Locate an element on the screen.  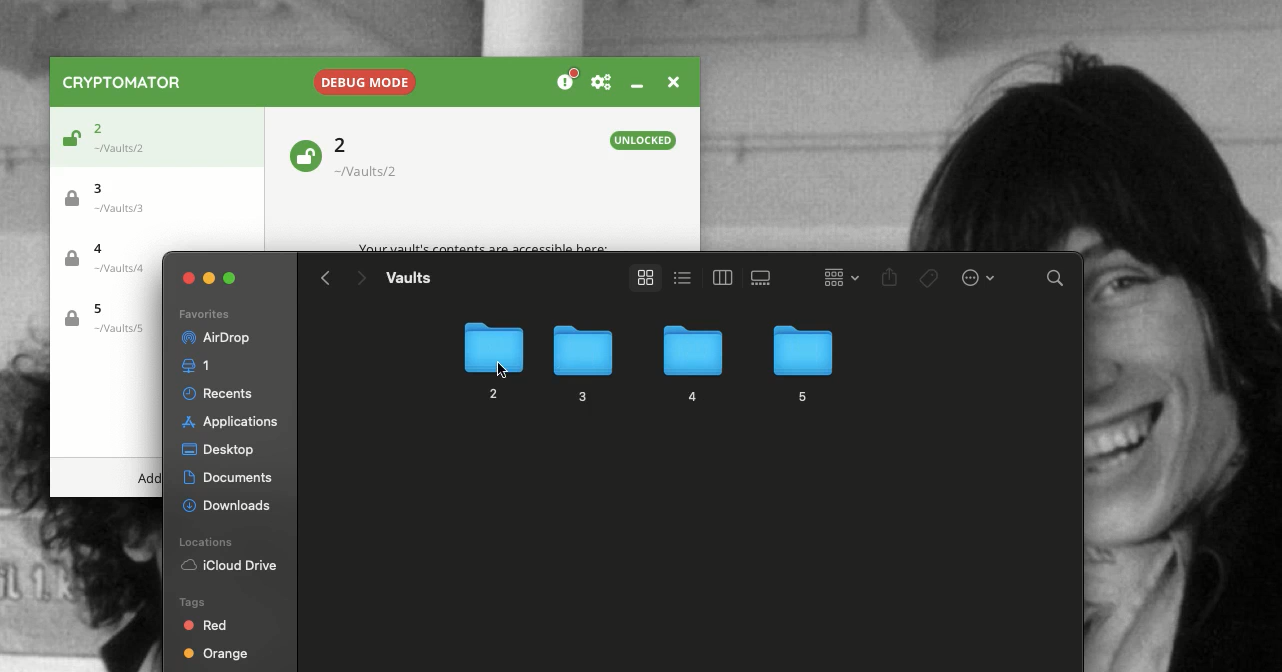
Unlocked is located at coordinates (644, 140).